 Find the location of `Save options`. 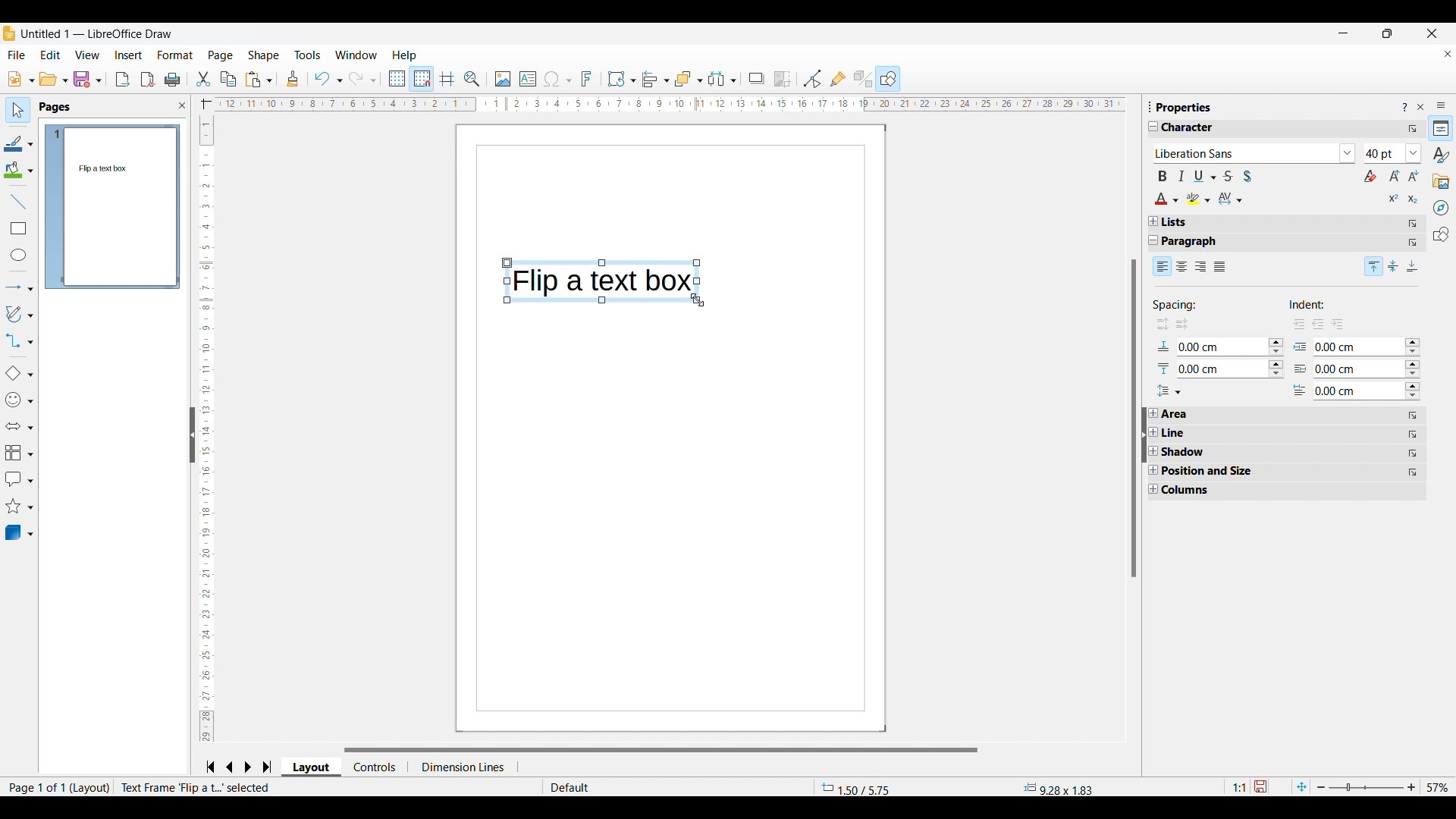

Save options is located at coordinates (88, 79).